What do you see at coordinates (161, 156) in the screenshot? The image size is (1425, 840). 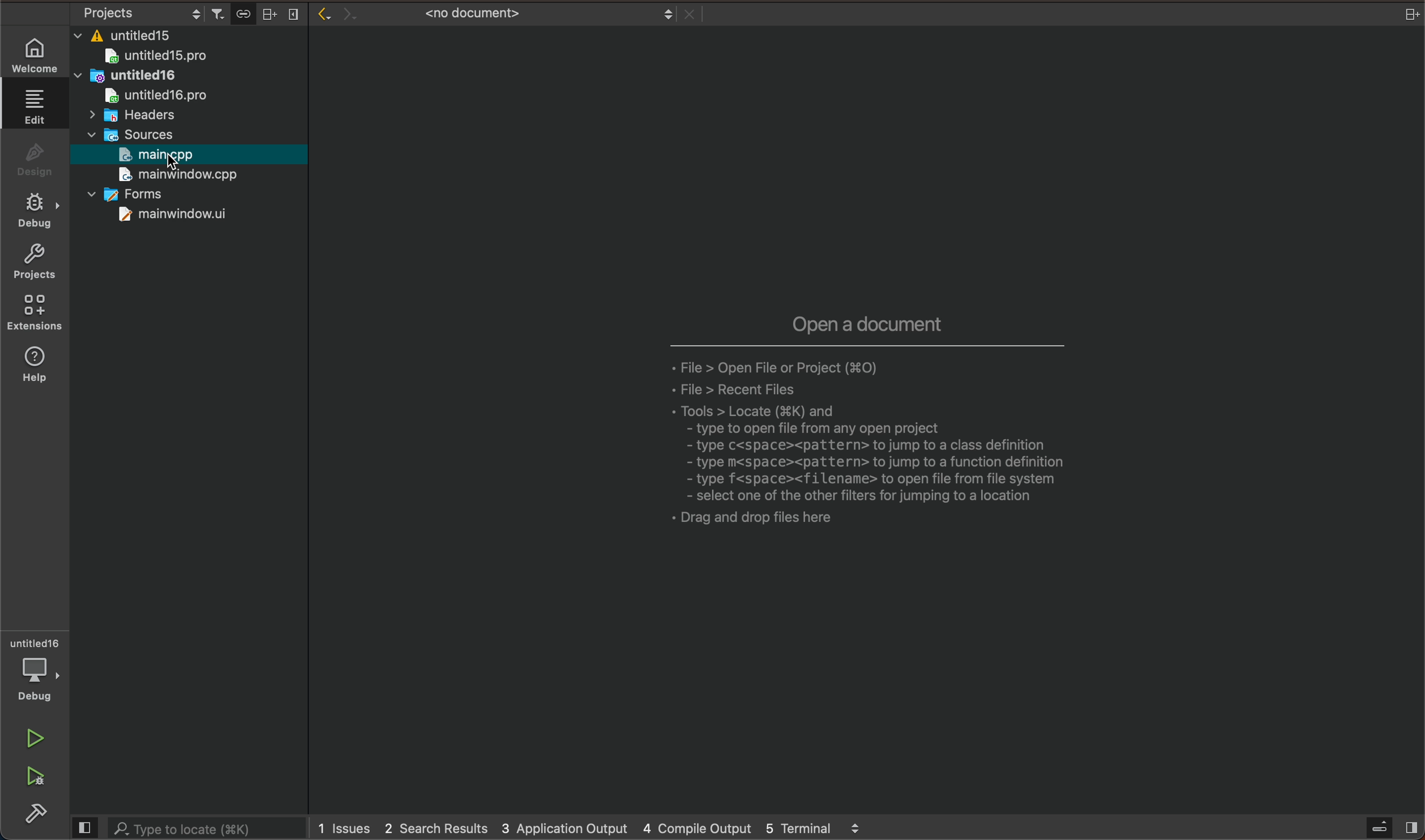 I see `main.cpp` at bounding box center [161, 156].